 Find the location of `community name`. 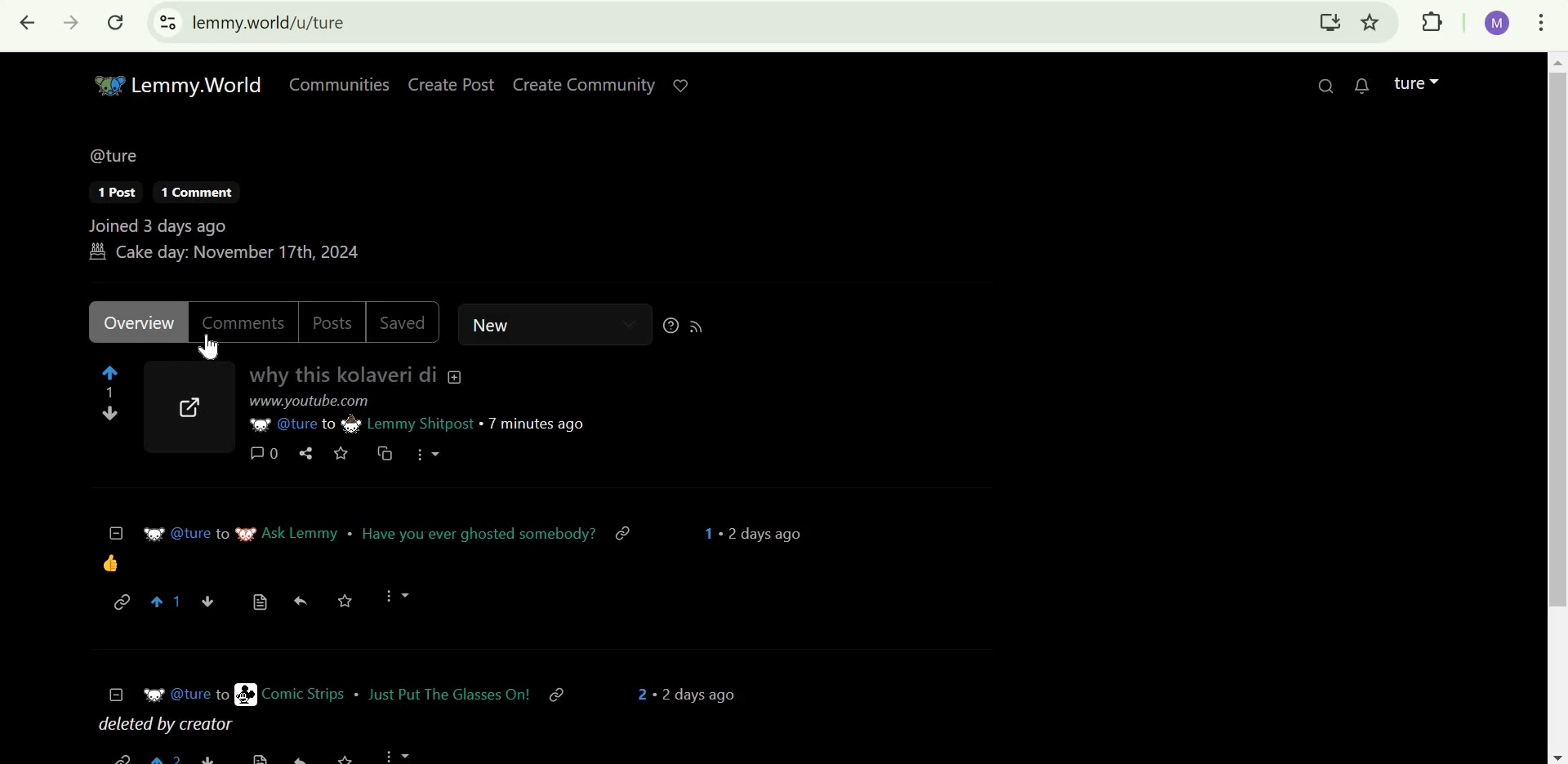

community name is located at coordinates (291, 694).